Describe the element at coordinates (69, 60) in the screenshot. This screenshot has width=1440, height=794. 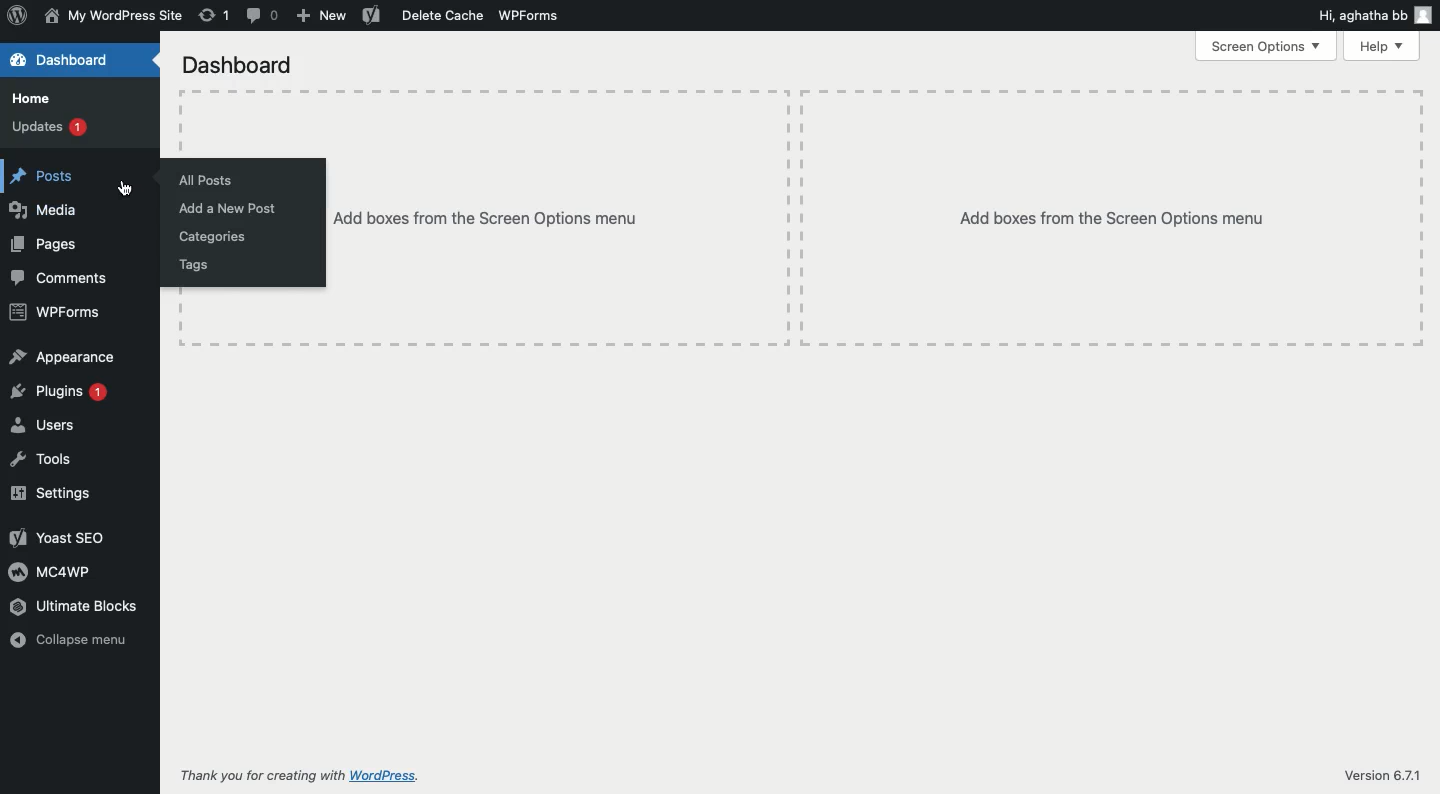
I see `Dashboard` at that location.